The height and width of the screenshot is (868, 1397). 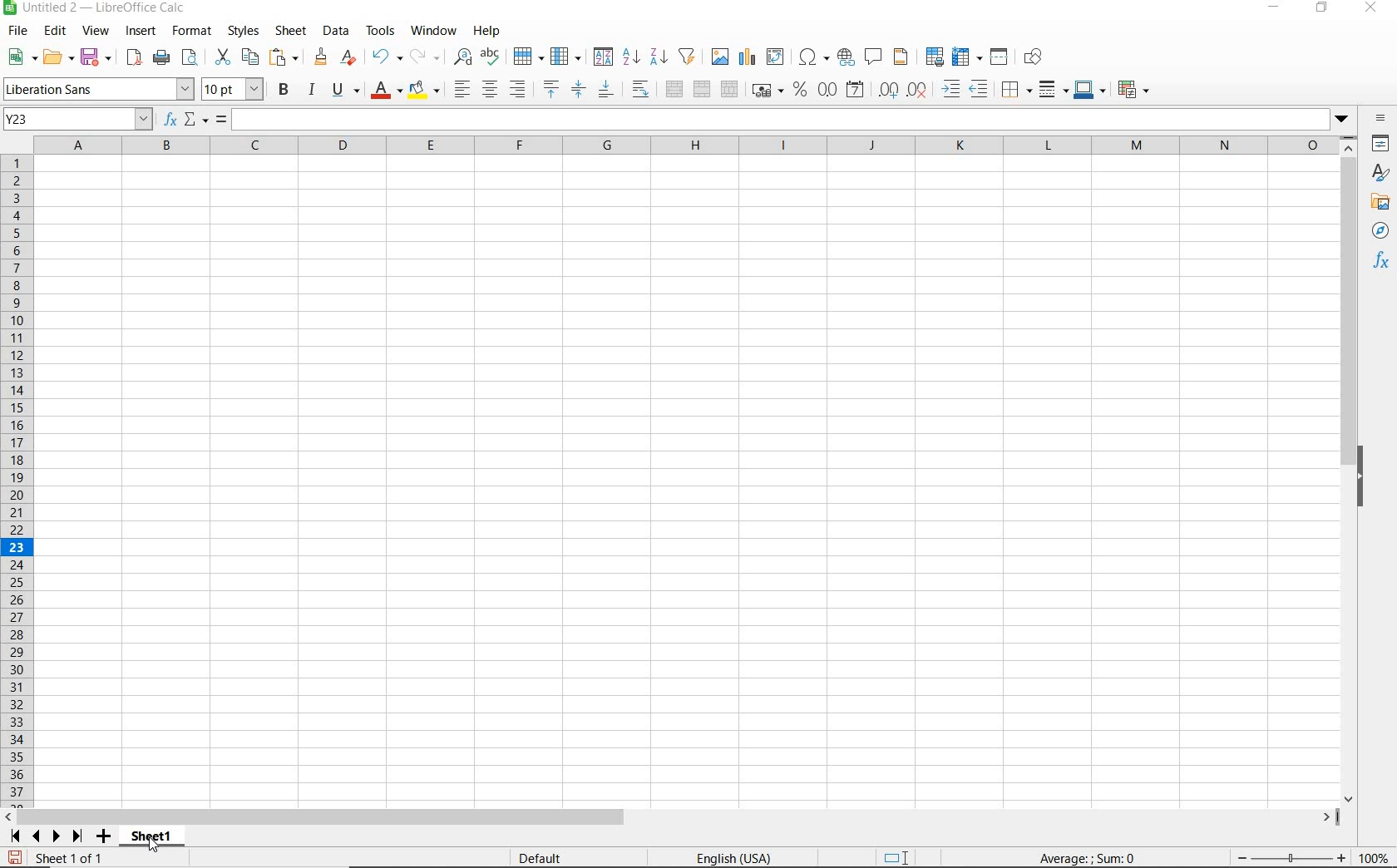 What do you see at coordinates (221, 56) in the screenshot?
I see `CUT` at bounding box center [221, 56].